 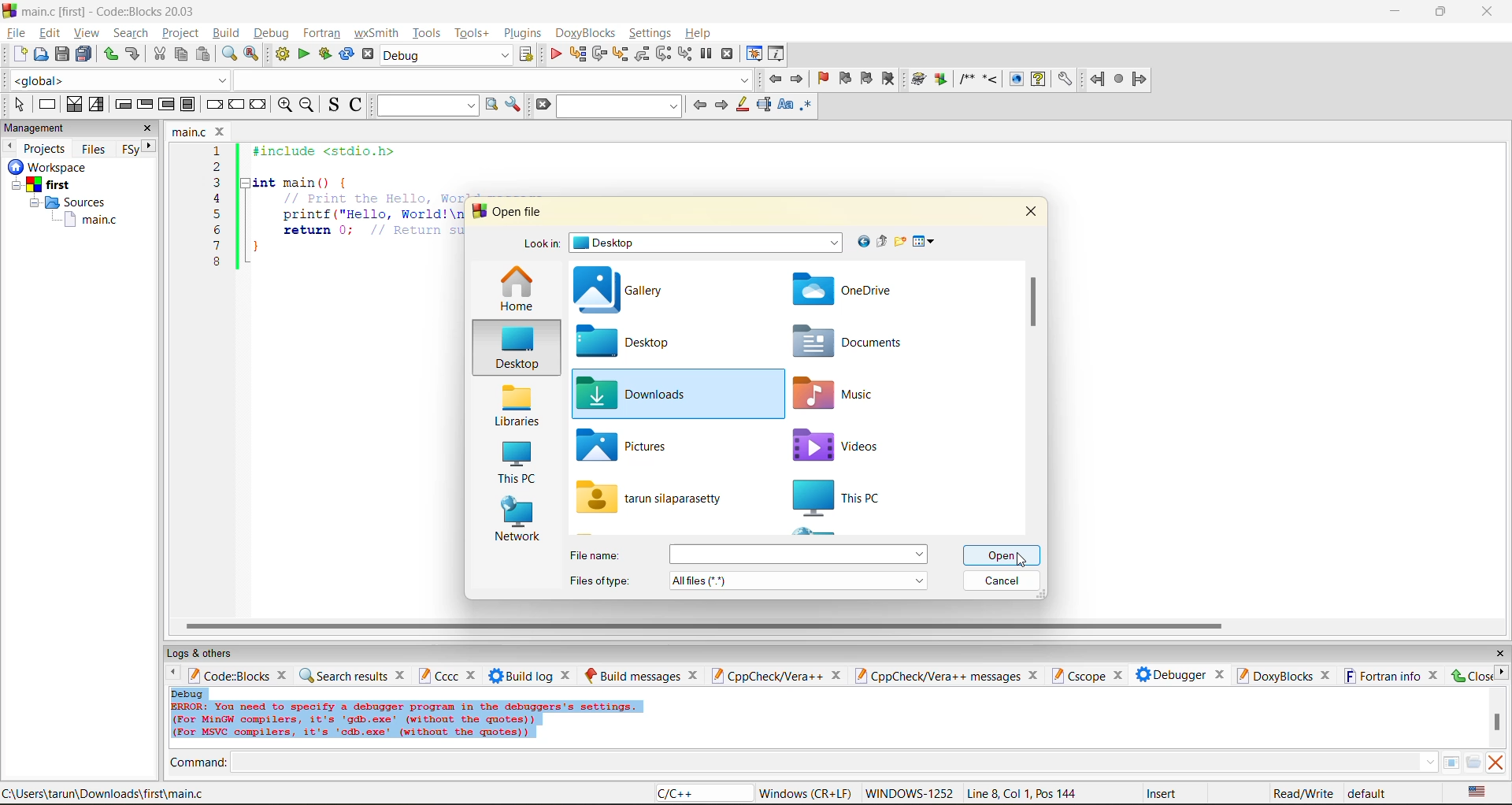 What do you see at coordinates (334, 151) in the screenshot?
I see `#include <stdio.h>` at bounding box center [334, 151].